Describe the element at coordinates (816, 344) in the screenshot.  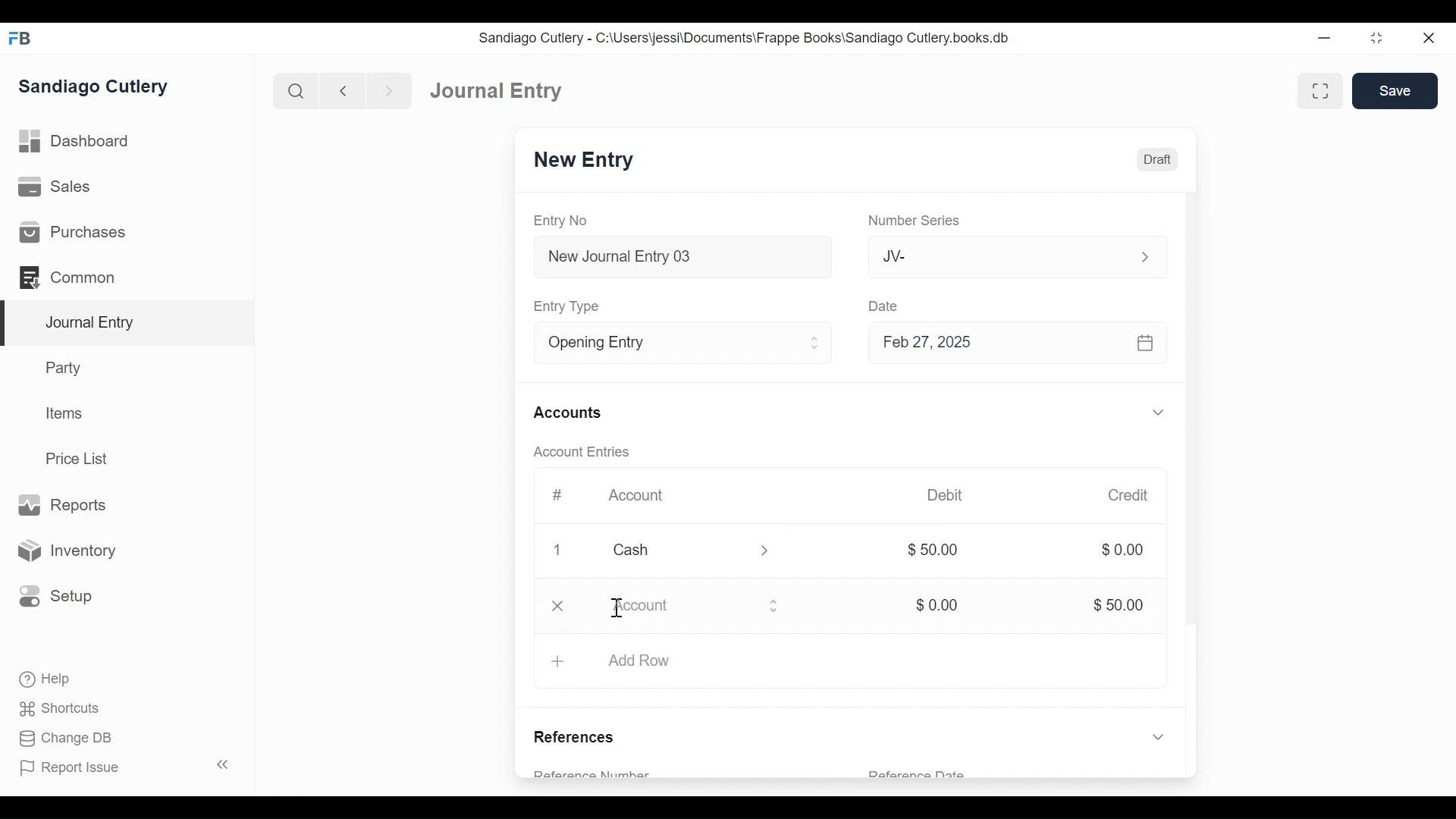
I see `Expand` at that location.